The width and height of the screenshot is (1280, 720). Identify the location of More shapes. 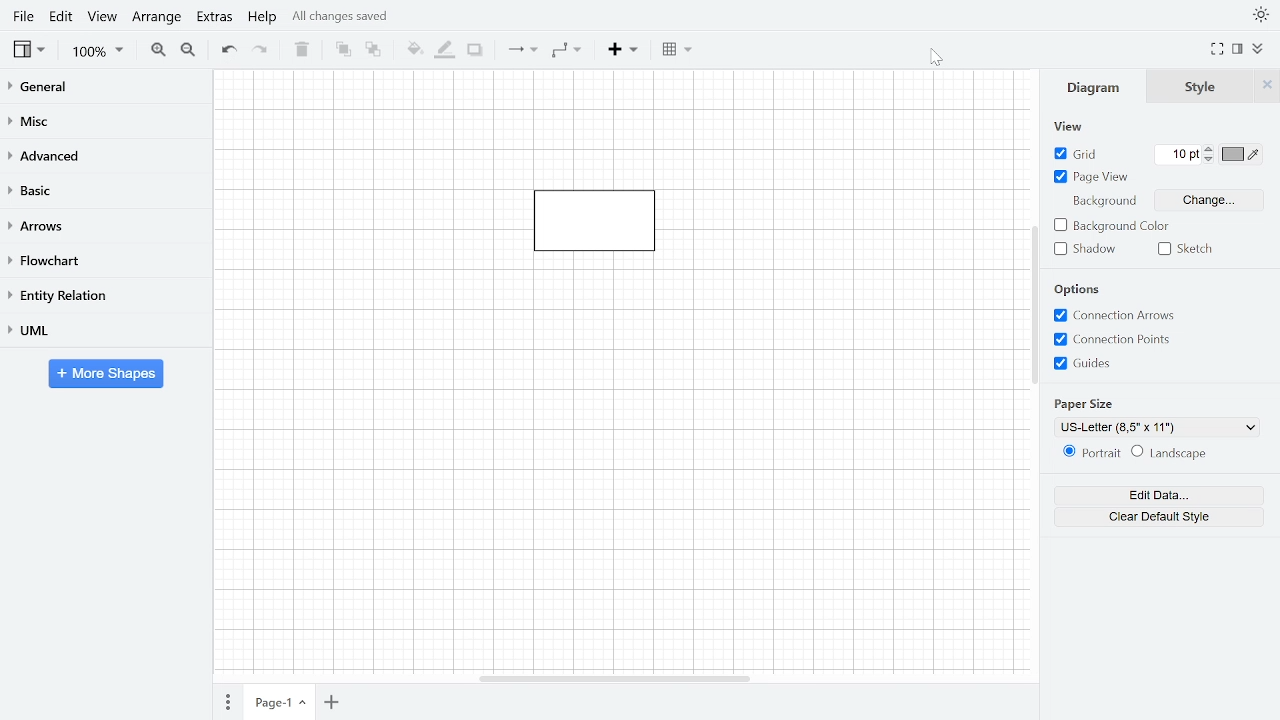
(110, 374).